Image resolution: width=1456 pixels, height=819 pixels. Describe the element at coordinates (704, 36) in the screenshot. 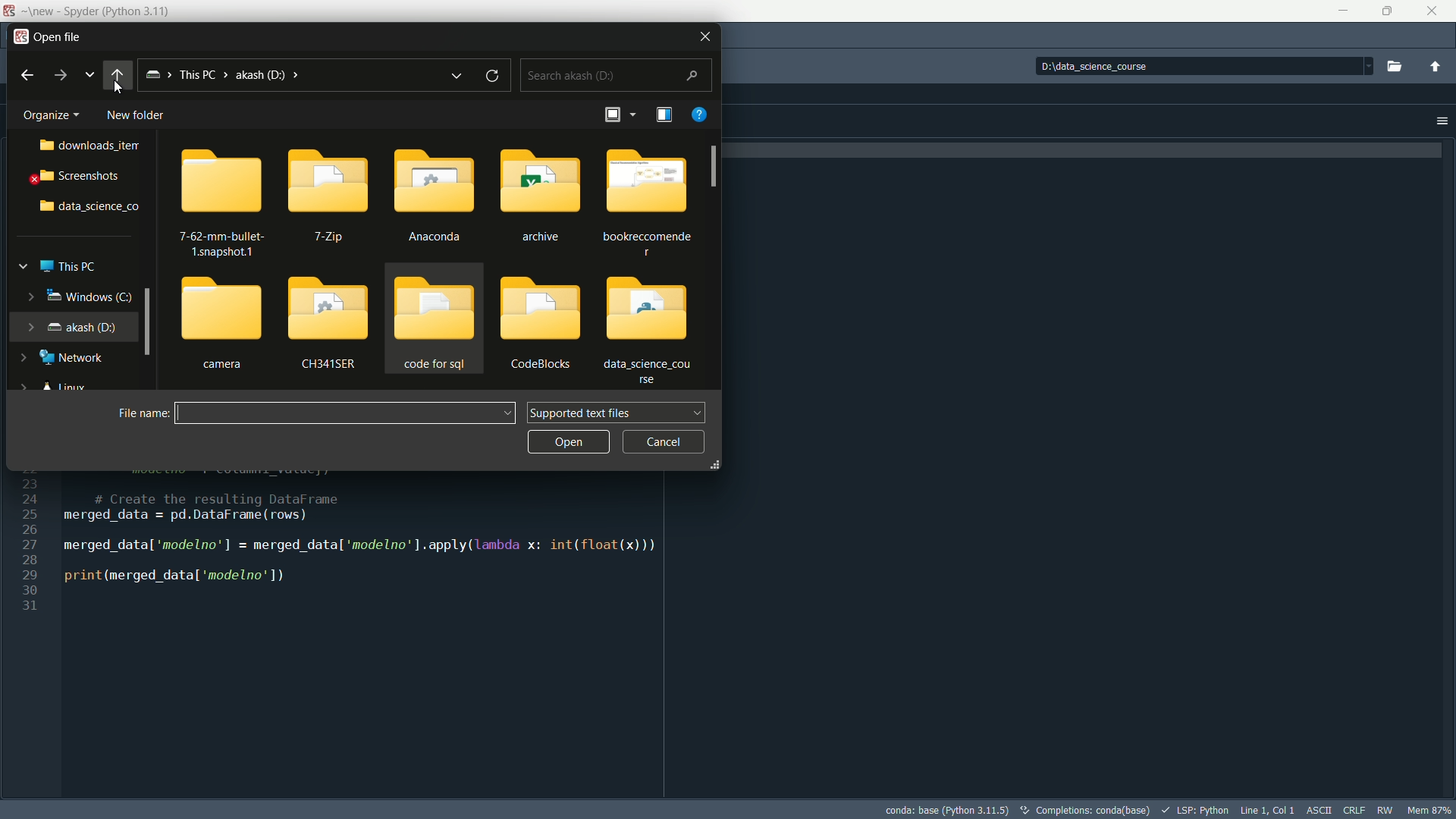

I see `close` at that location.